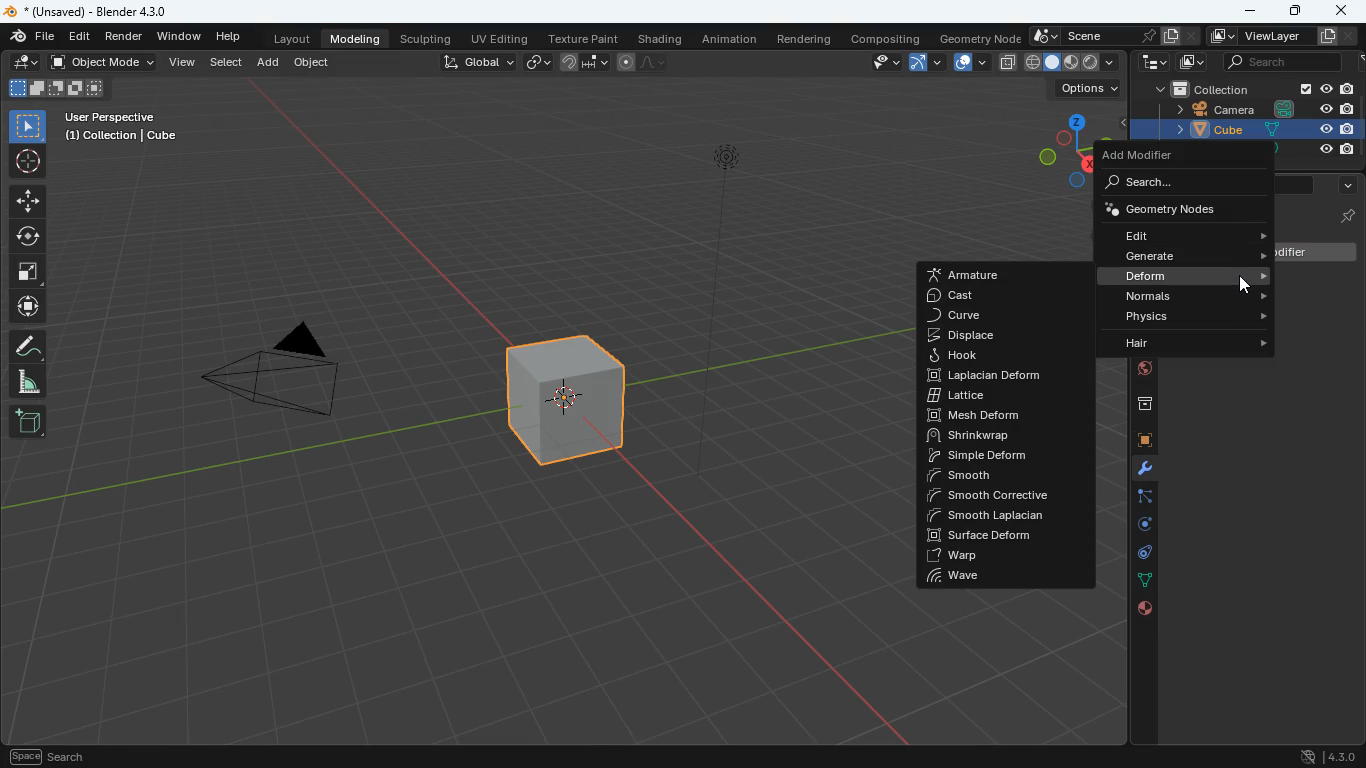 The width and height of the screenshot is (1366, 768). Describe the element at coordinates (978, 317) in the screenshot. I see `curve` at that location.